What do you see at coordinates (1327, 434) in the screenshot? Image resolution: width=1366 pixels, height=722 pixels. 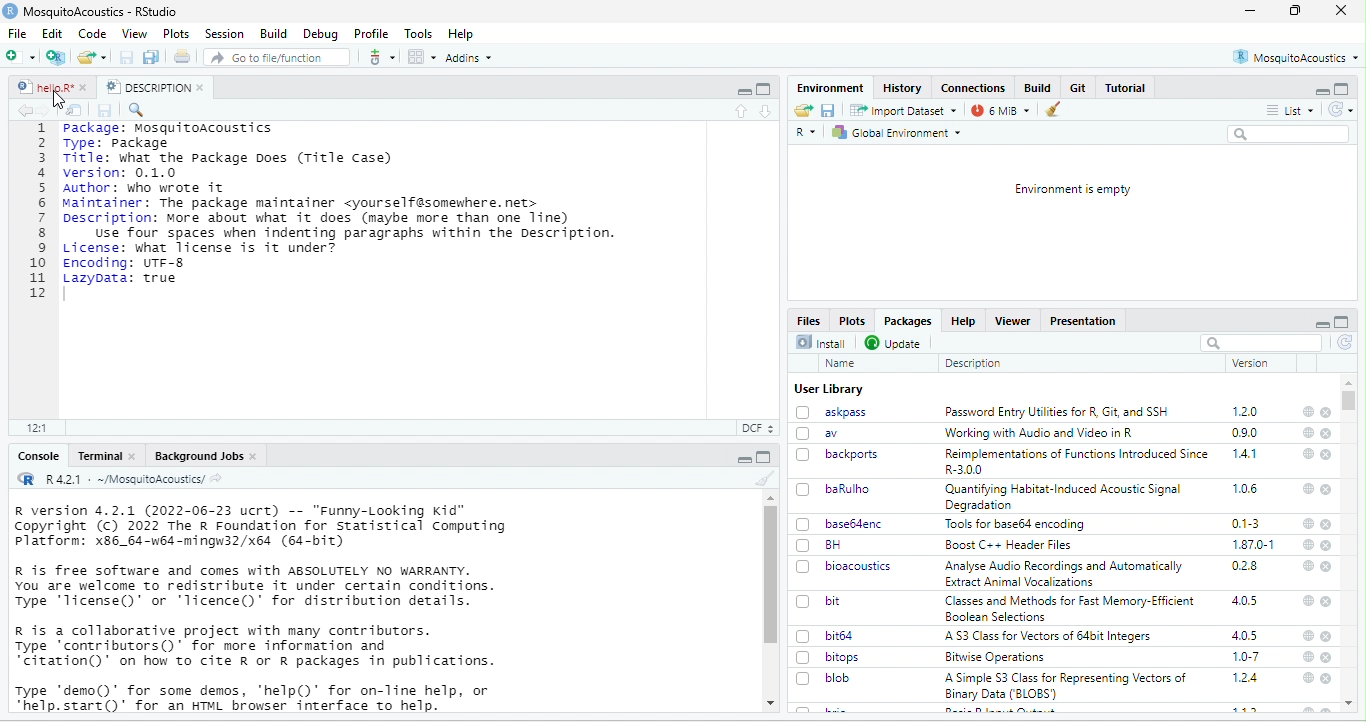 I see `close` at bounding box center [1327, 434].